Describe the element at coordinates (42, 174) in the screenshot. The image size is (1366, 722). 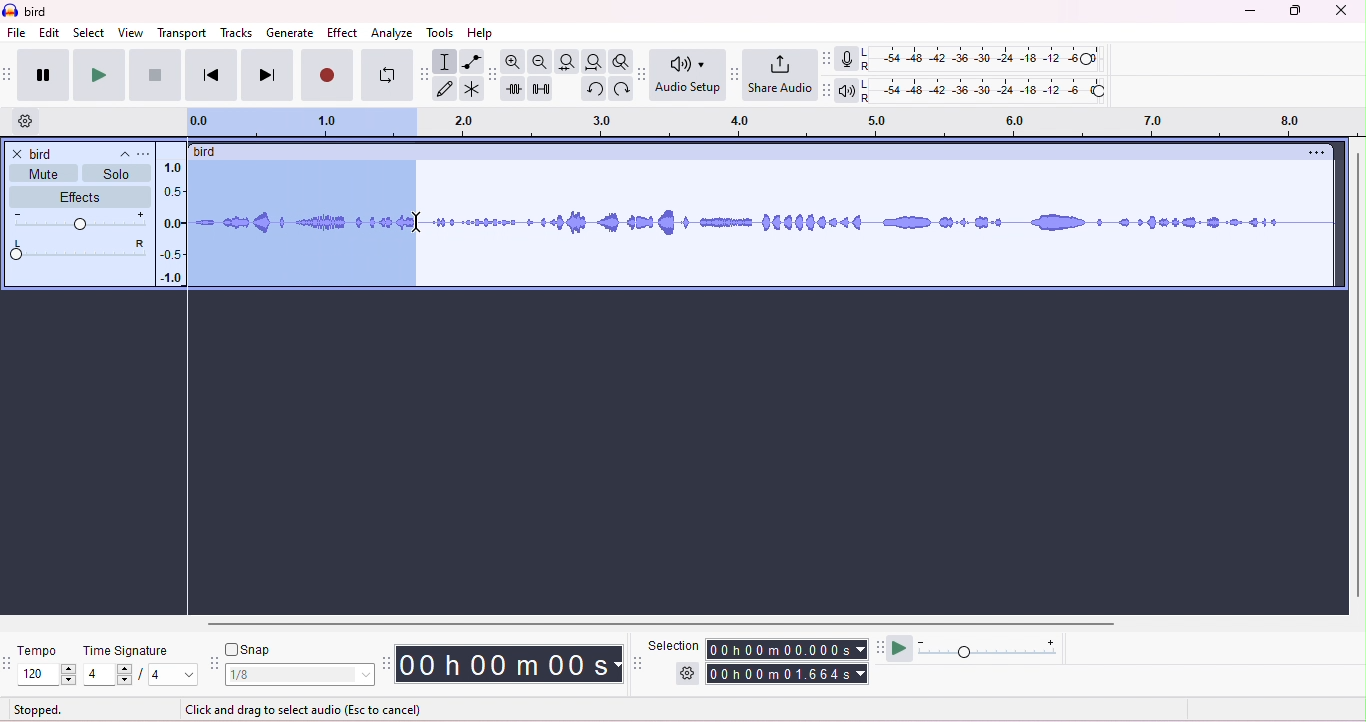
I see `mute` at that location.